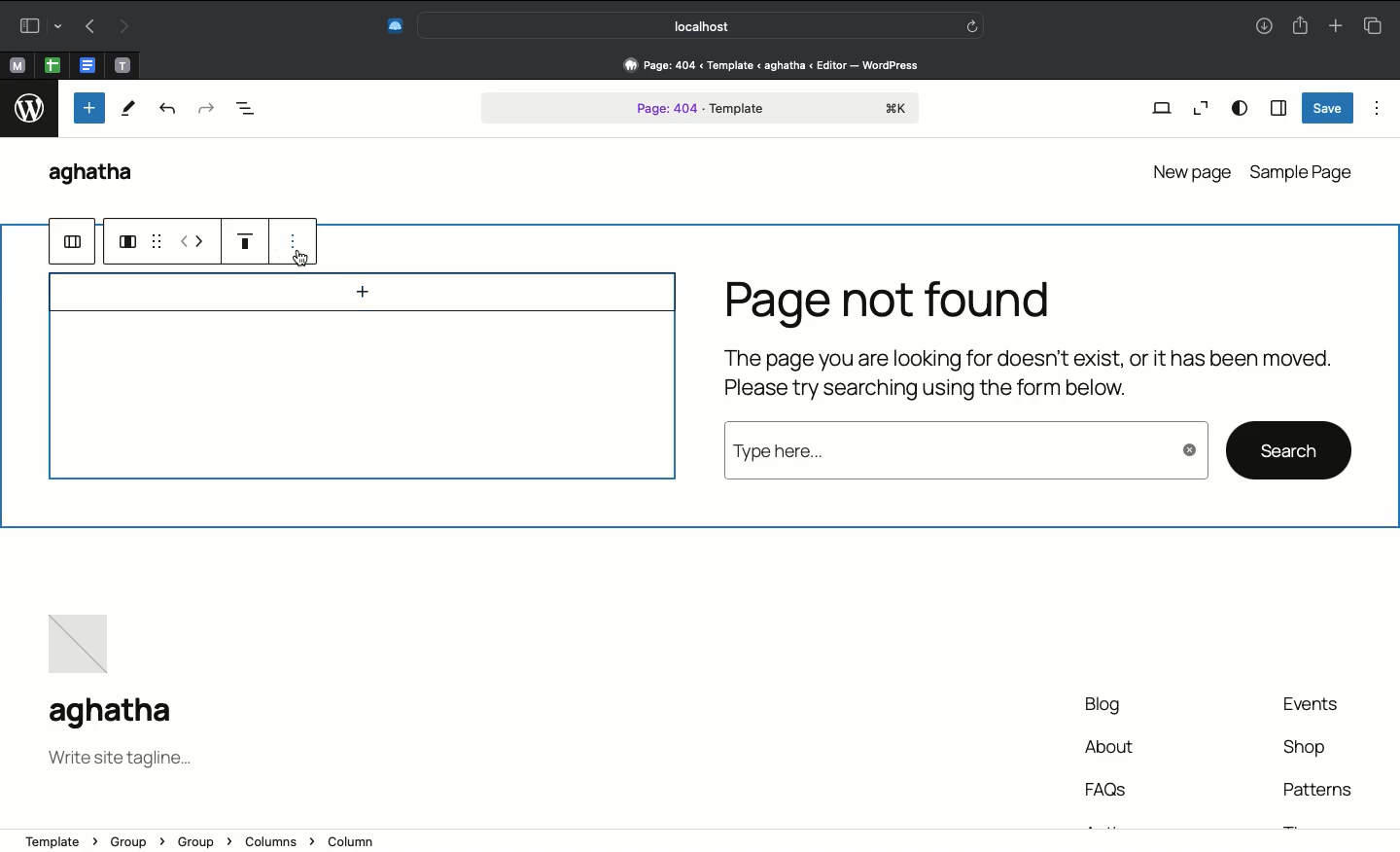 This screenshot has width=1400, height=852. I want to click on Events, so click(1320, 703).